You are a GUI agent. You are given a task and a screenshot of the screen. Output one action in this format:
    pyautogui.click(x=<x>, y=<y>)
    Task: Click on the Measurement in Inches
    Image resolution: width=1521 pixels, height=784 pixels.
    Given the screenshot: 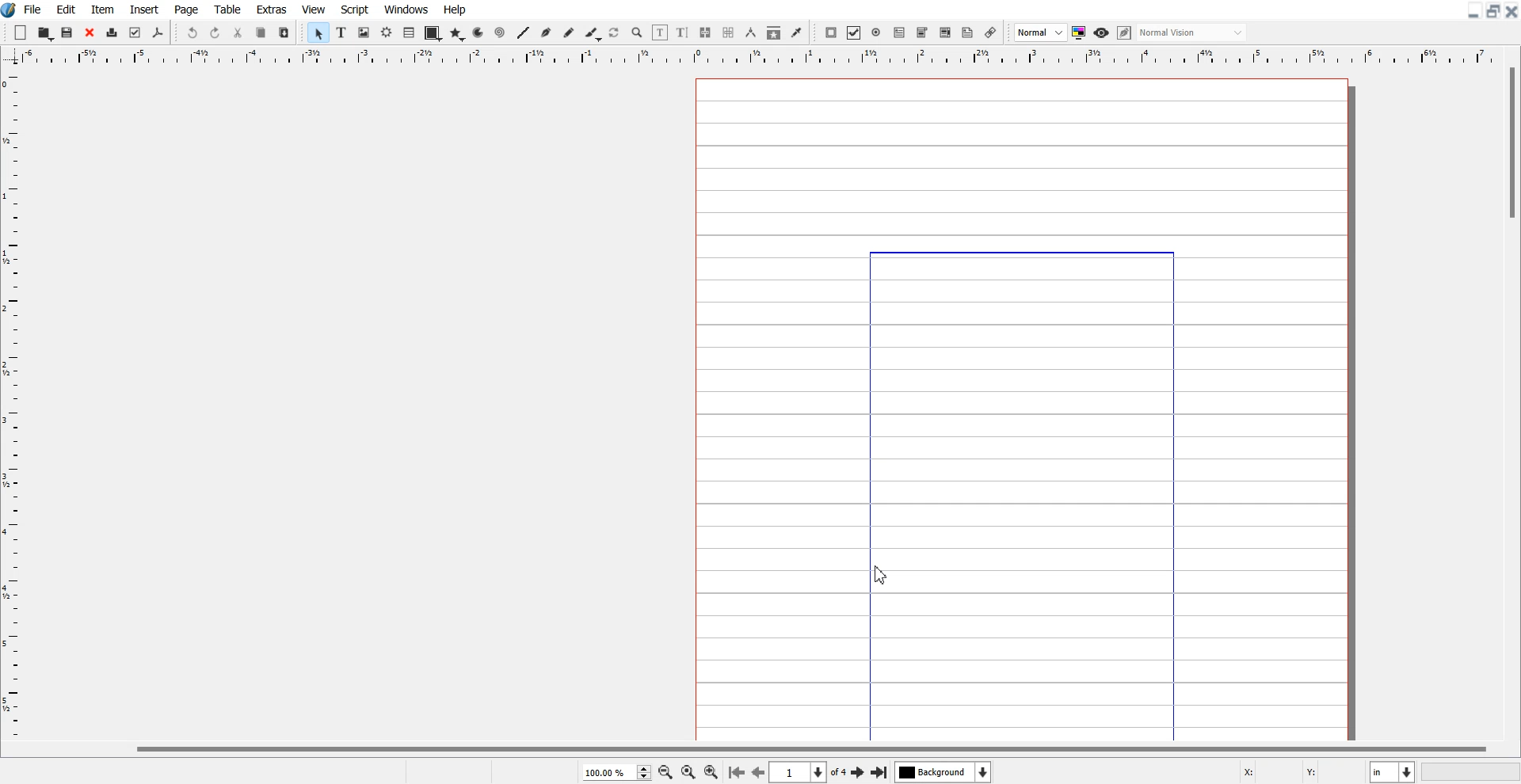 What is the action you would take?
    pyautogui.click(x=1393, y=771)
    